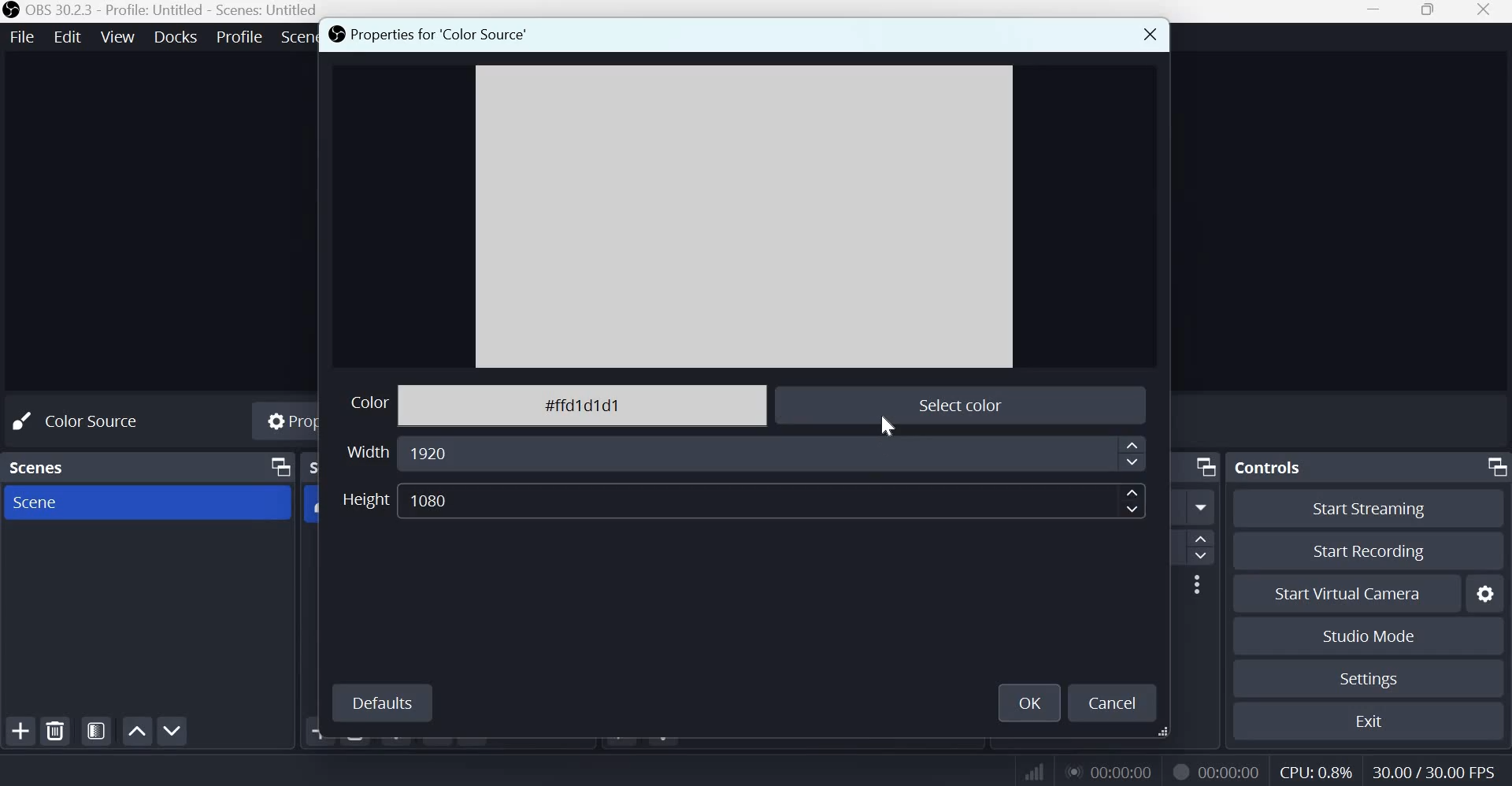  I want to click on Height, so click(365, 499).